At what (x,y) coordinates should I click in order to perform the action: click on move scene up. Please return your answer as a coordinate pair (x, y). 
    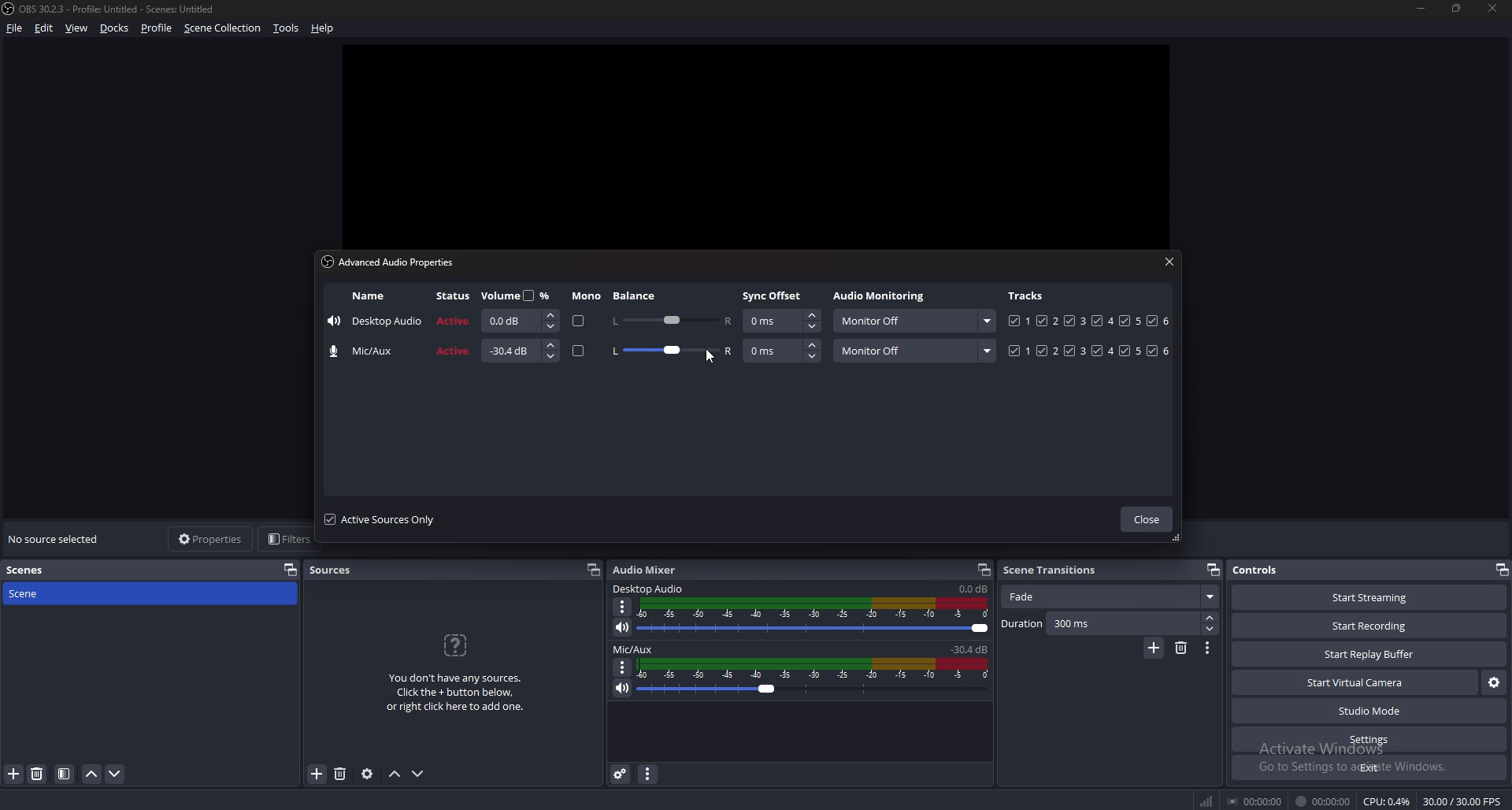
    Looking at the image, I should click on (92, 775).